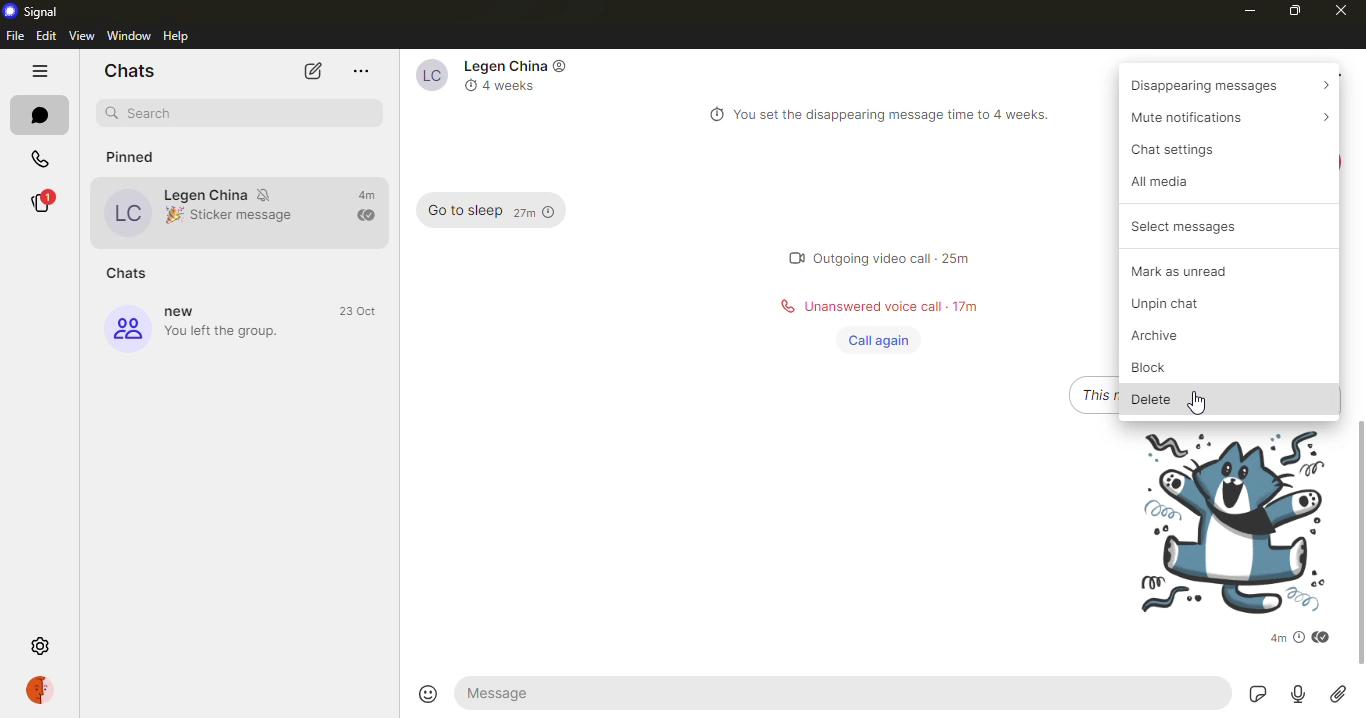 This screenshot has height=718, width=1366. I want to click on video call logo, so click(786, 257).